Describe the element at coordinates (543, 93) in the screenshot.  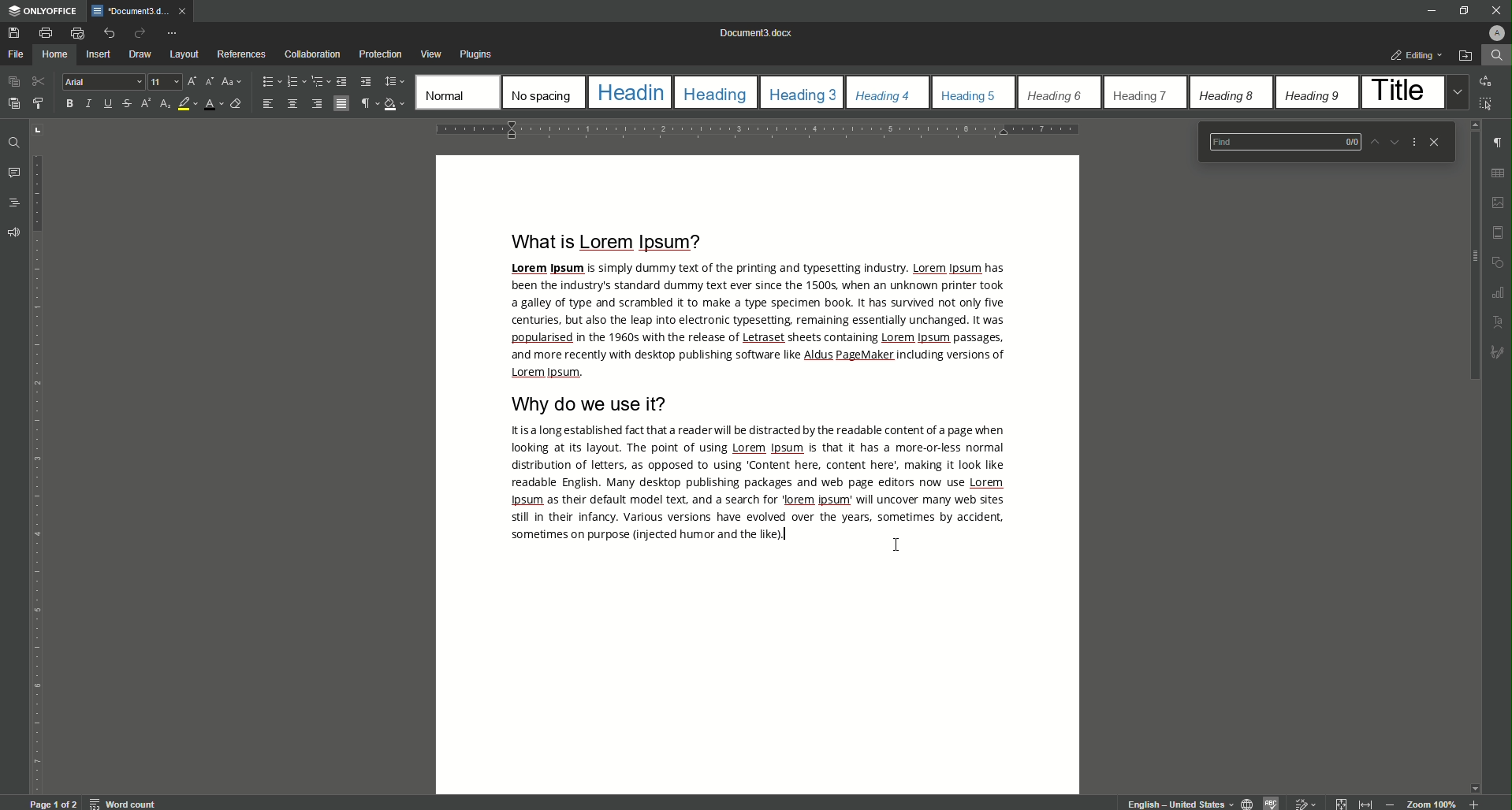
I see `No Spacing` at that location.